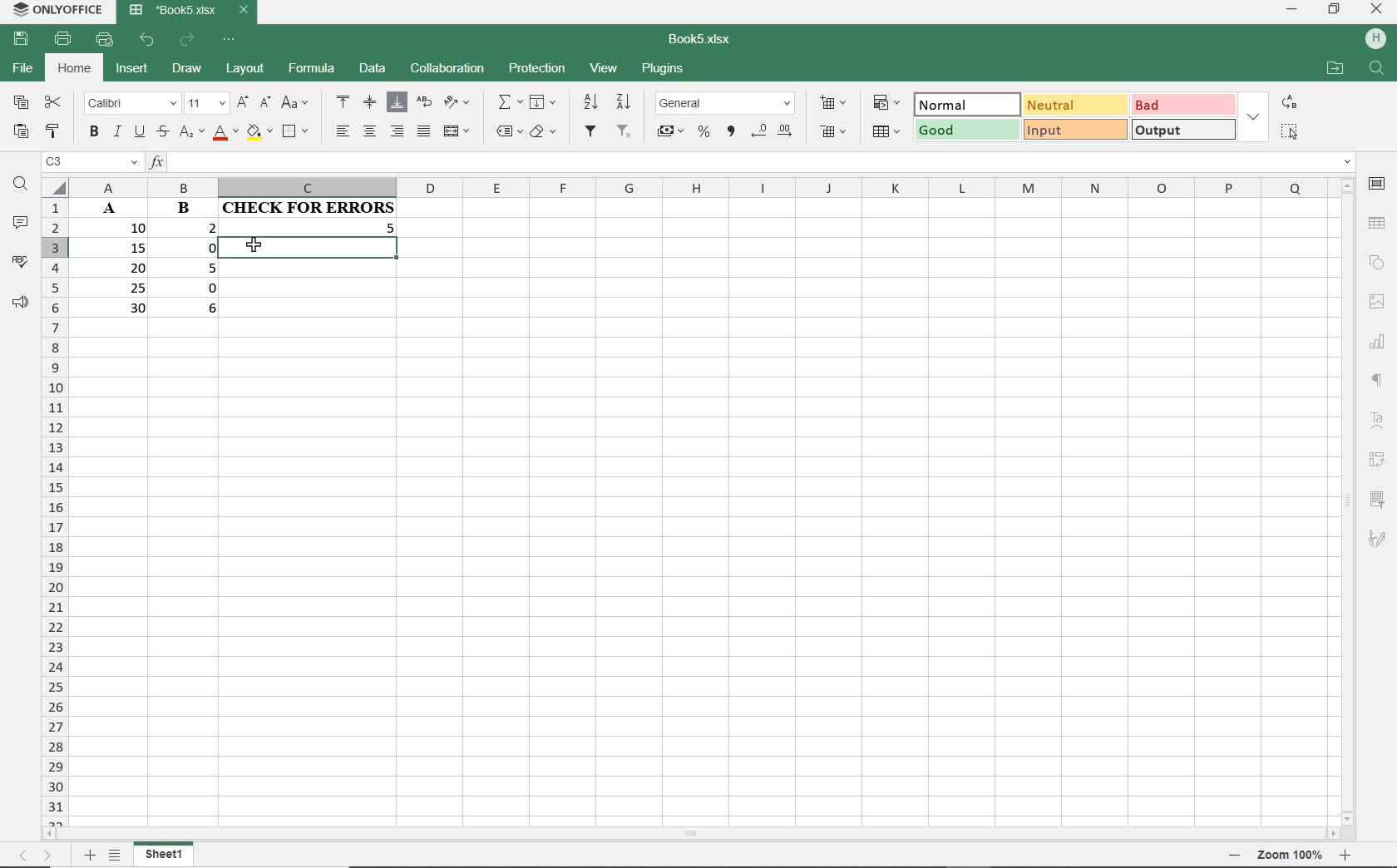  I want to click on COPY, so click(20, 103).